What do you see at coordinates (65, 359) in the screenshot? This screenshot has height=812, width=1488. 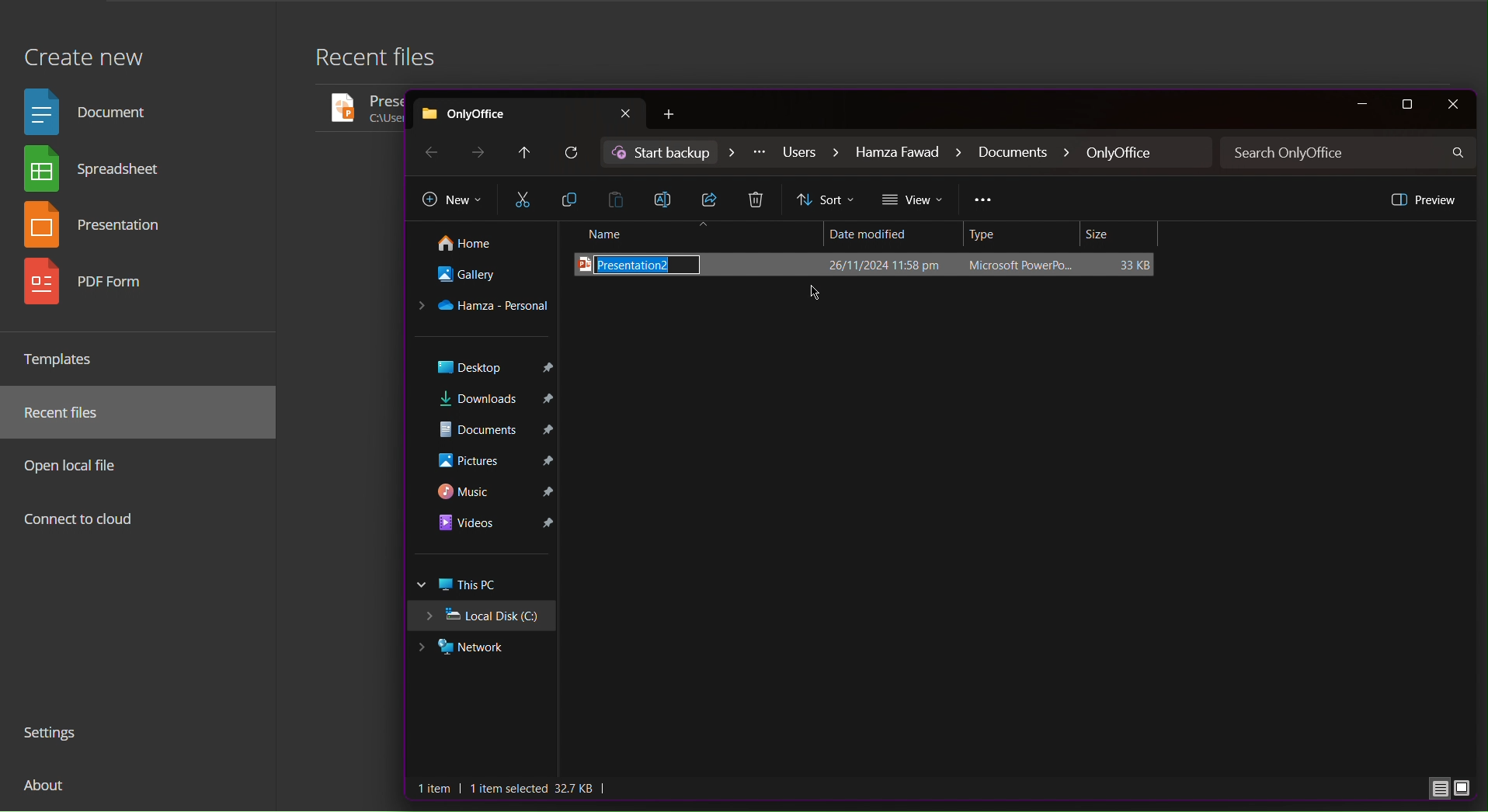 I see `Templates` at bounding box center [65, 359].